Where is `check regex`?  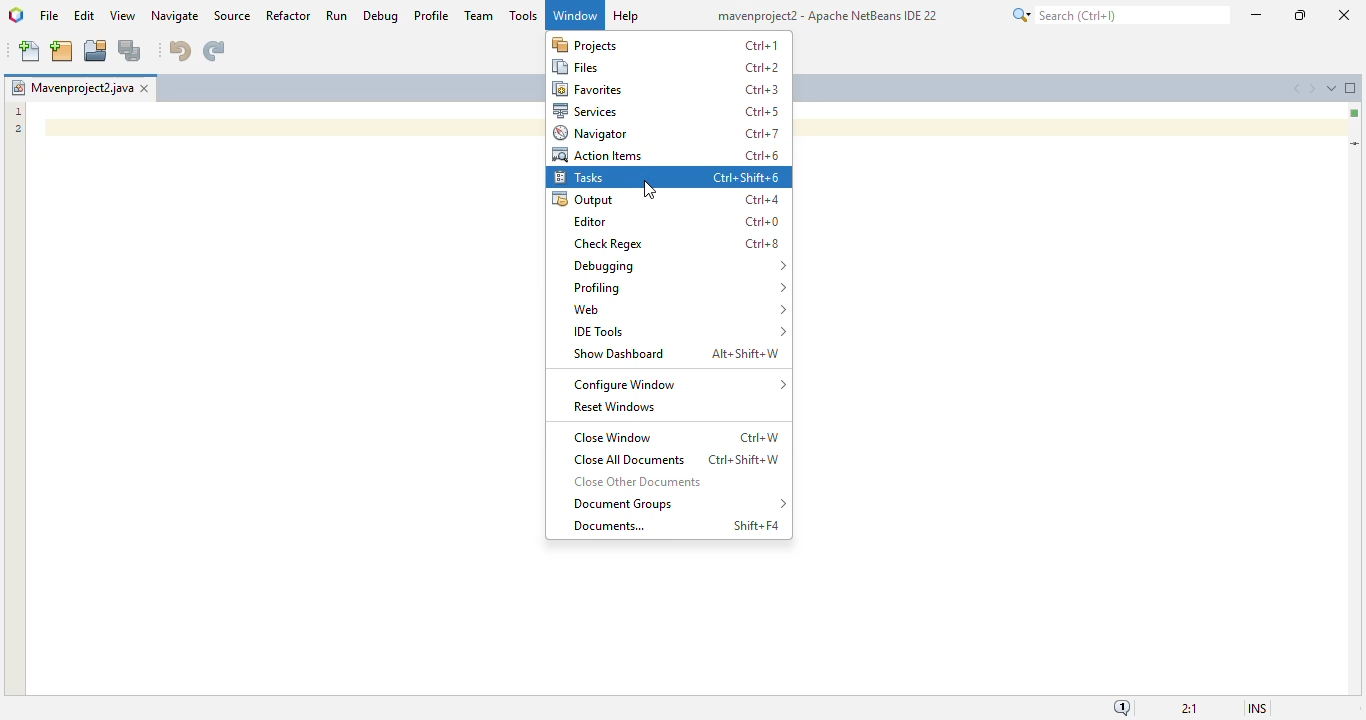 check regex is located at coordinates (610, 244).